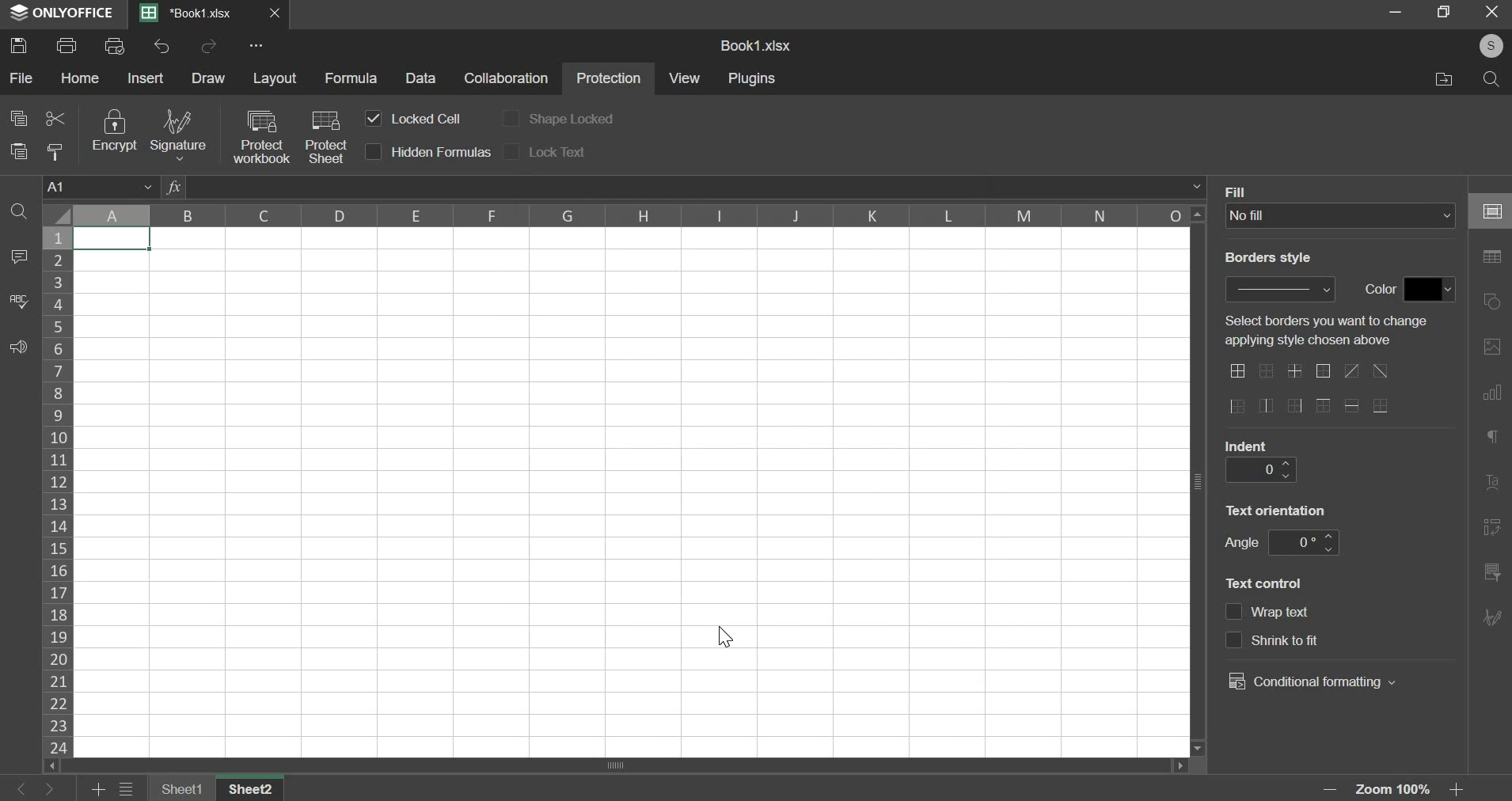 Image resolution: width=1512 pixels, height=801 pixels. Describe the element at coordinates (162, 46) in the screenshot. I see `undo` at that location.